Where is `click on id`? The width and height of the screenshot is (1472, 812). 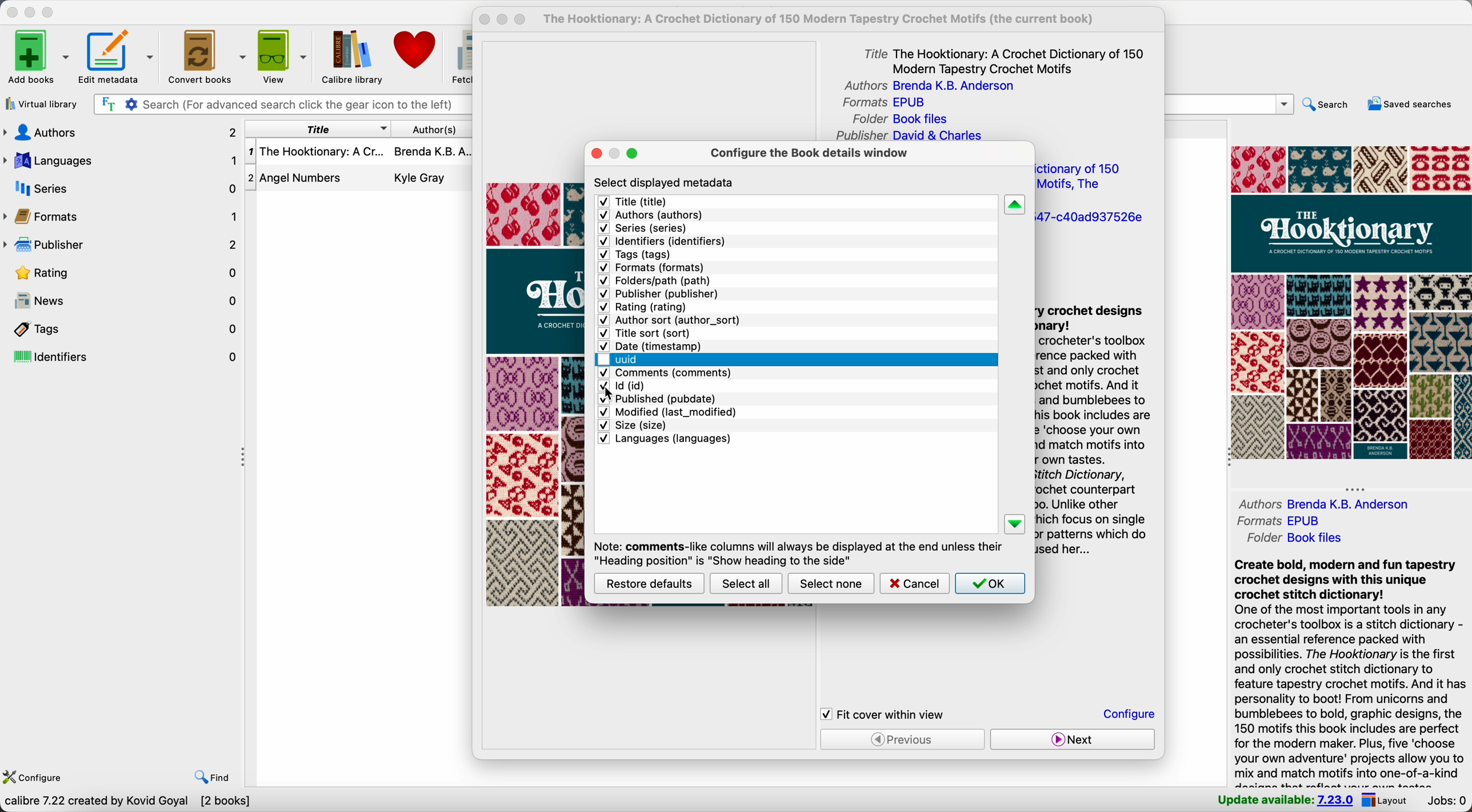
click on id is located at coordinates (621, 385).